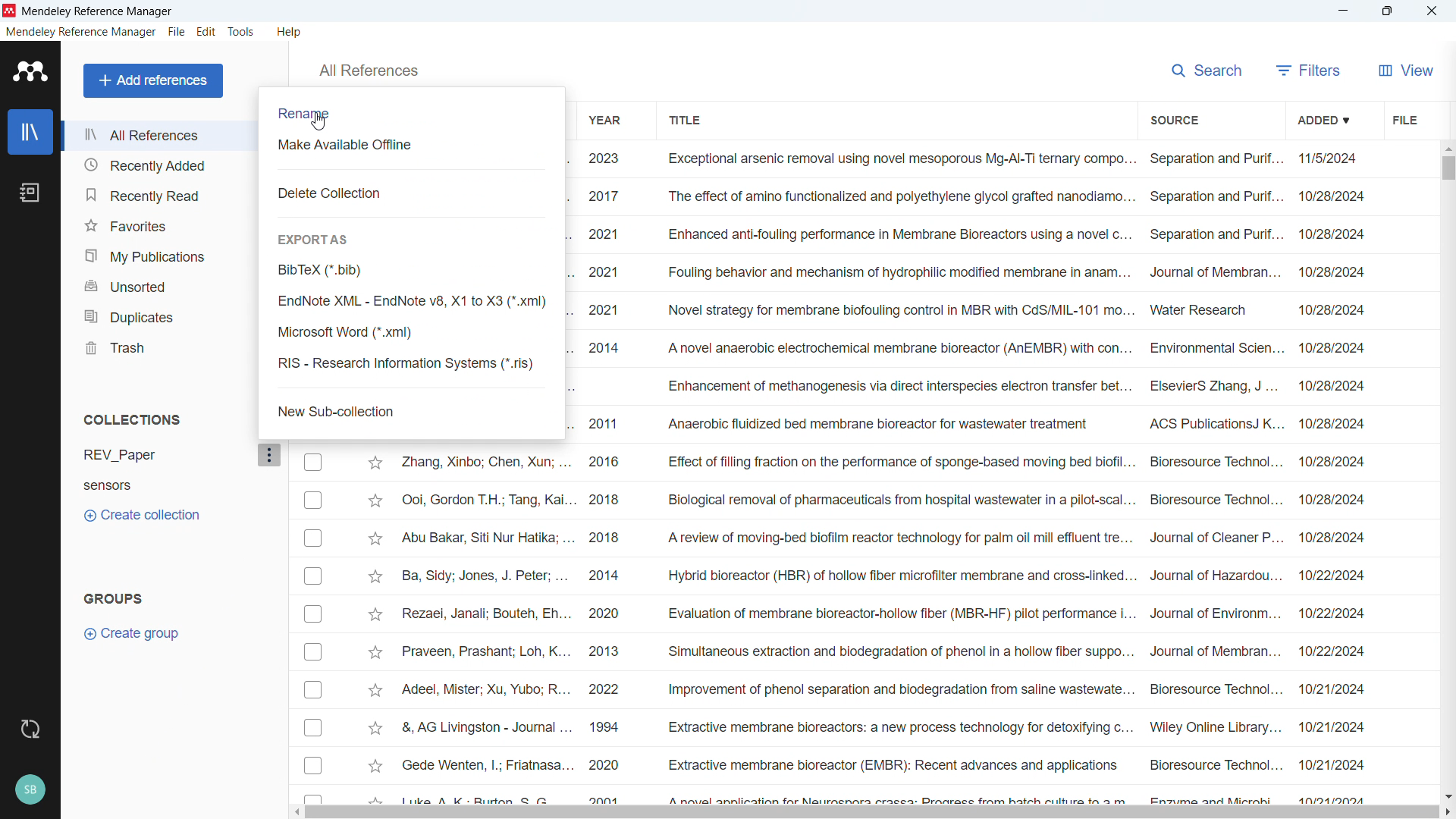  I want to click on Sync , so click(31, 730).